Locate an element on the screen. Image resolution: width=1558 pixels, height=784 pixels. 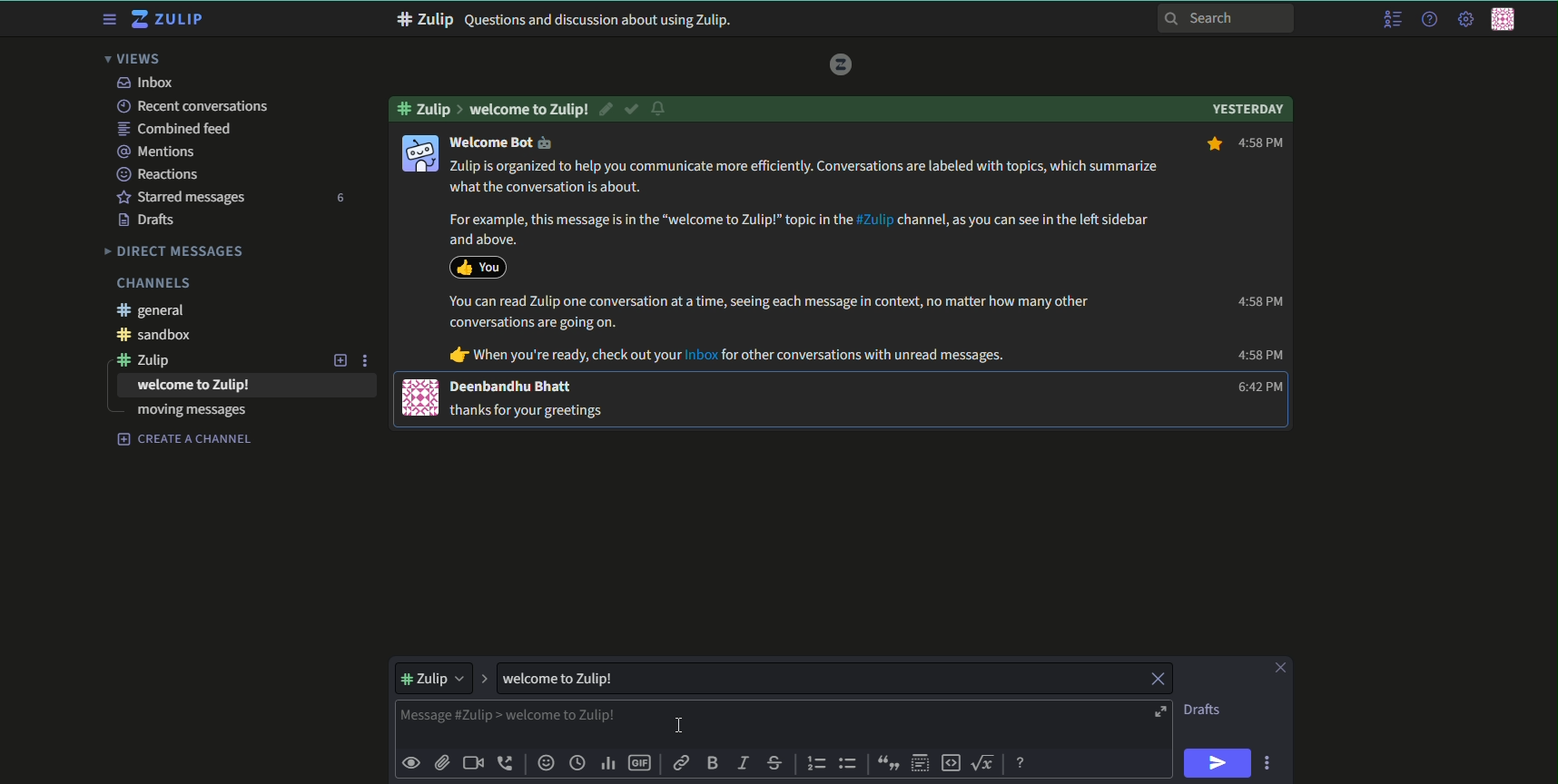
 Zulip is organized to help you communicate more efficiently. Conversations are labeled with topics, which summarize what the conversation is about. is located at coordinates (807, 177).